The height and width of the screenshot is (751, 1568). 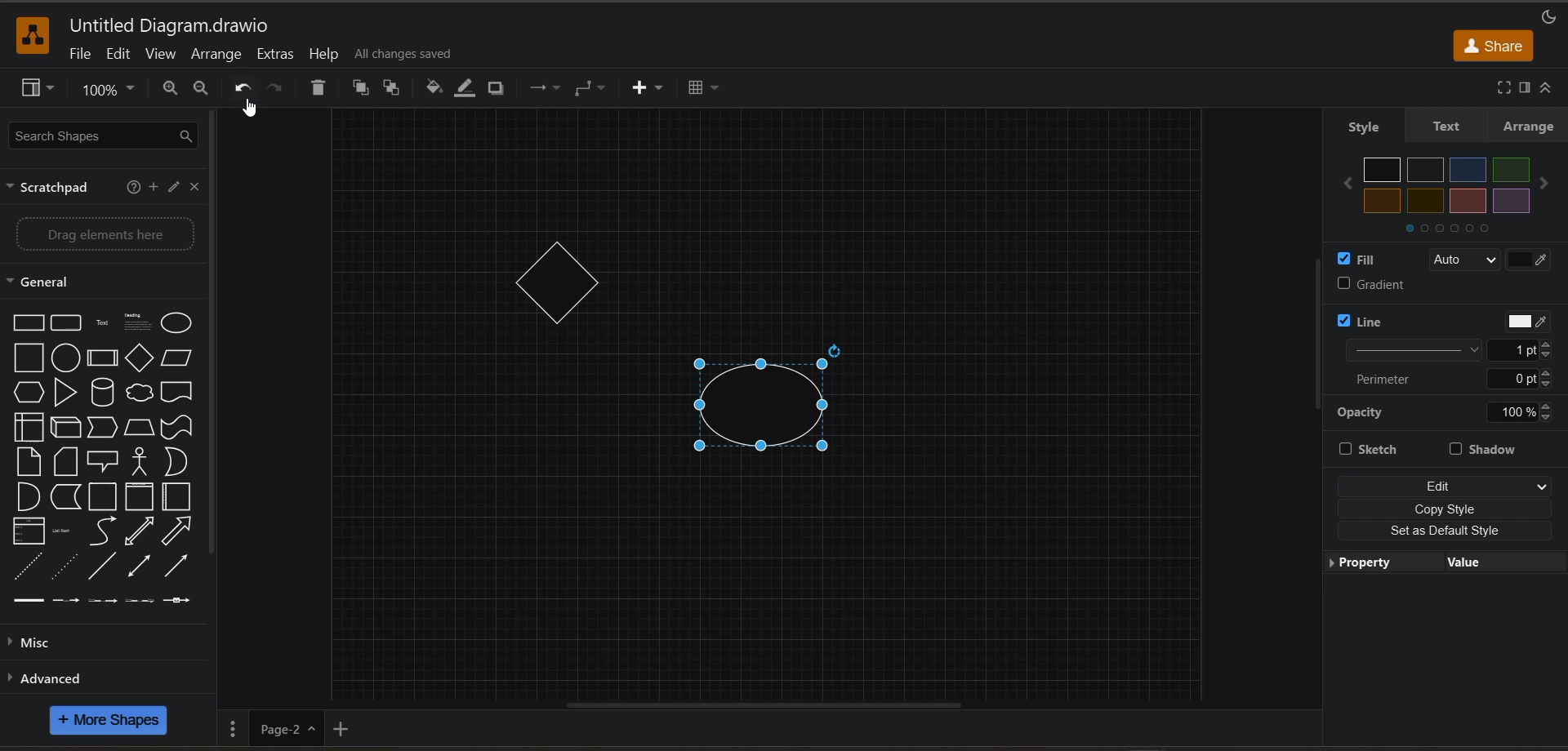 I want to click on file name and app title, so click(x=179, y=27).